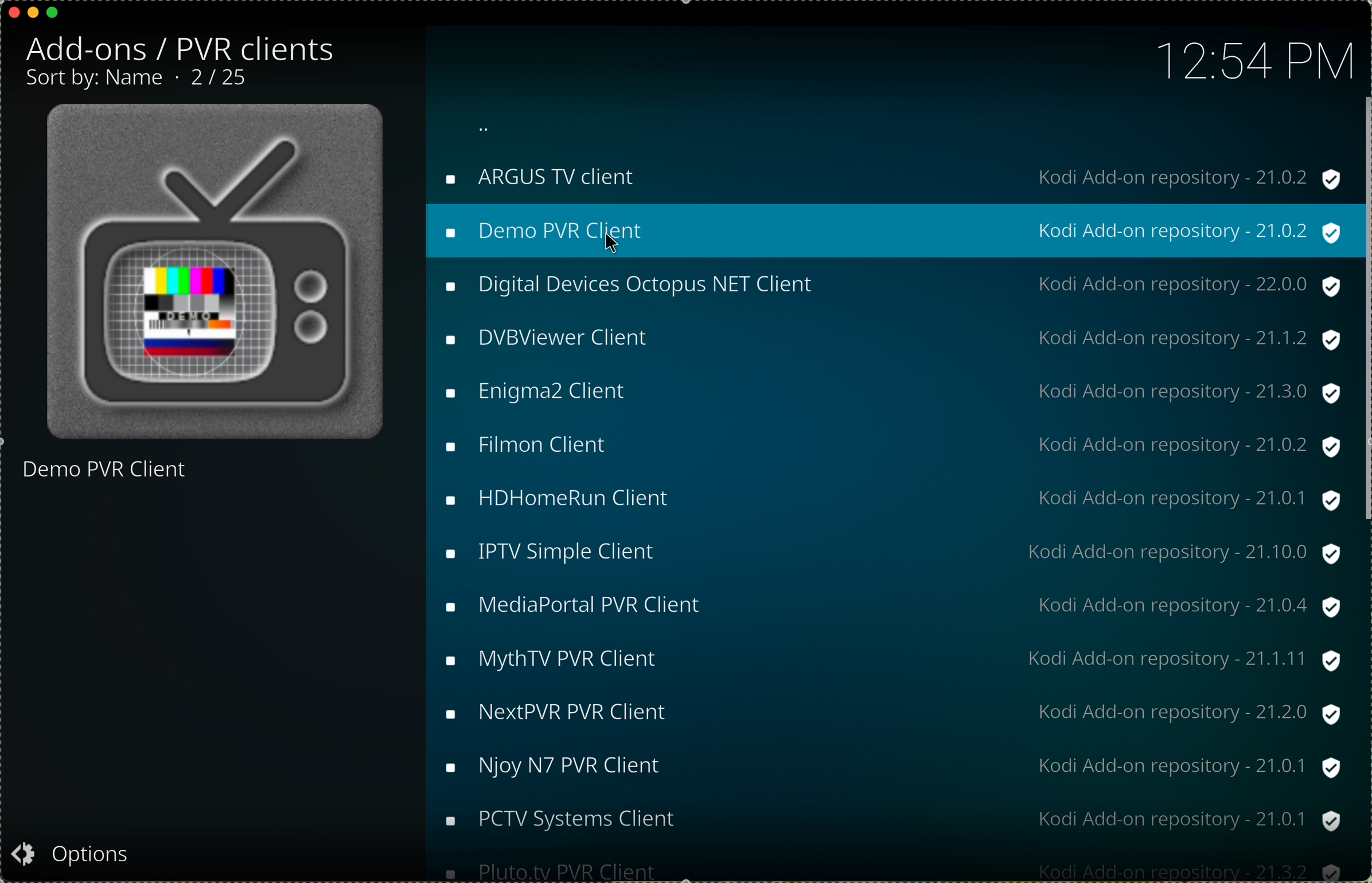 The image size is (1372, 883). What do you see at coordinates (177, 48) in the screenshot?
I see `Add-ons` at bounding box center [177, 48].